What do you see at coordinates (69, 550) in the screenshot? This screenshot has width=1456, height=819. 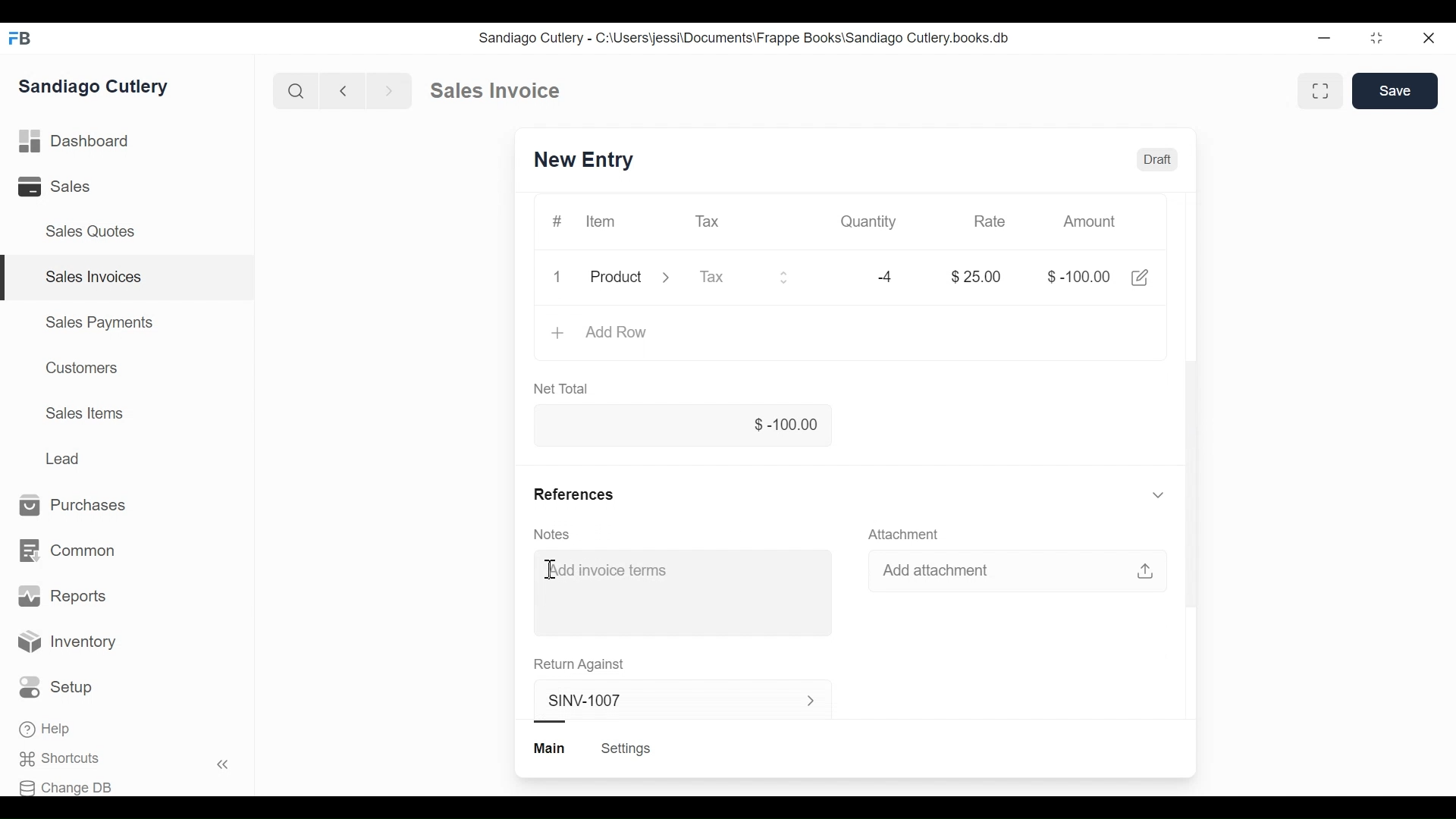 I see ` Common` at bounding box center [69, 550].